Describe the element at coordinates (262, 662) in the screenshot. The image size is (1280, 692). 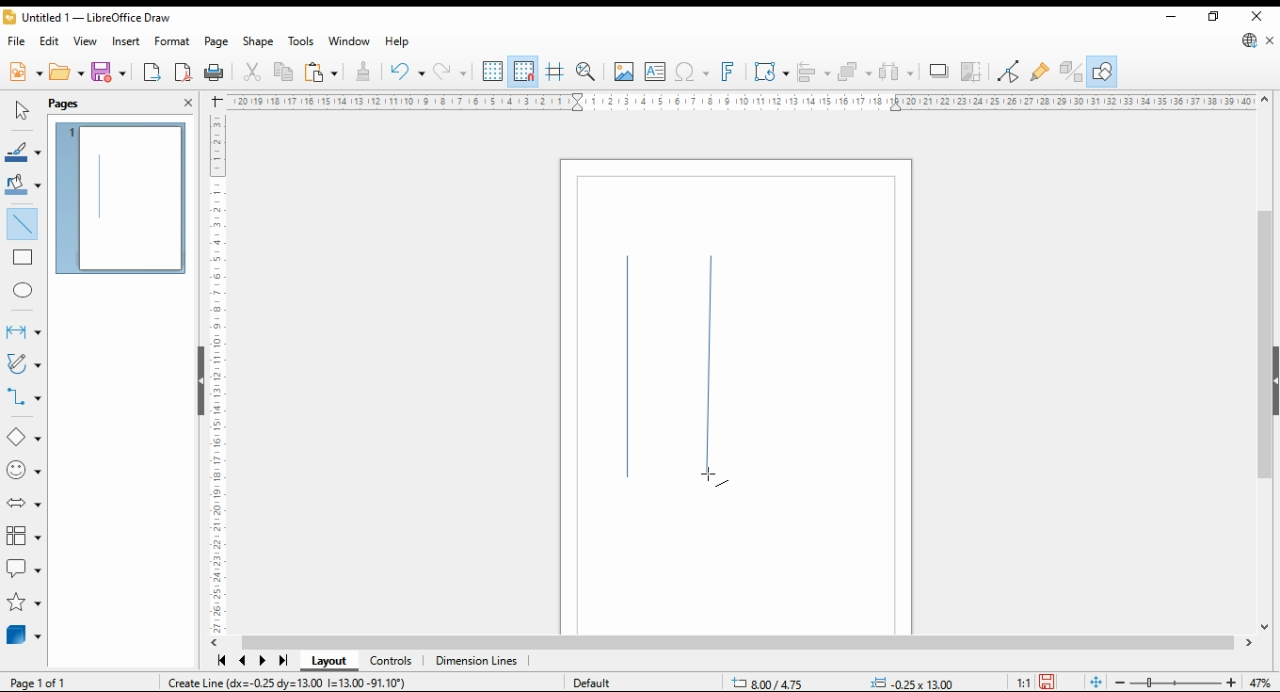
I see `next page` at that location.